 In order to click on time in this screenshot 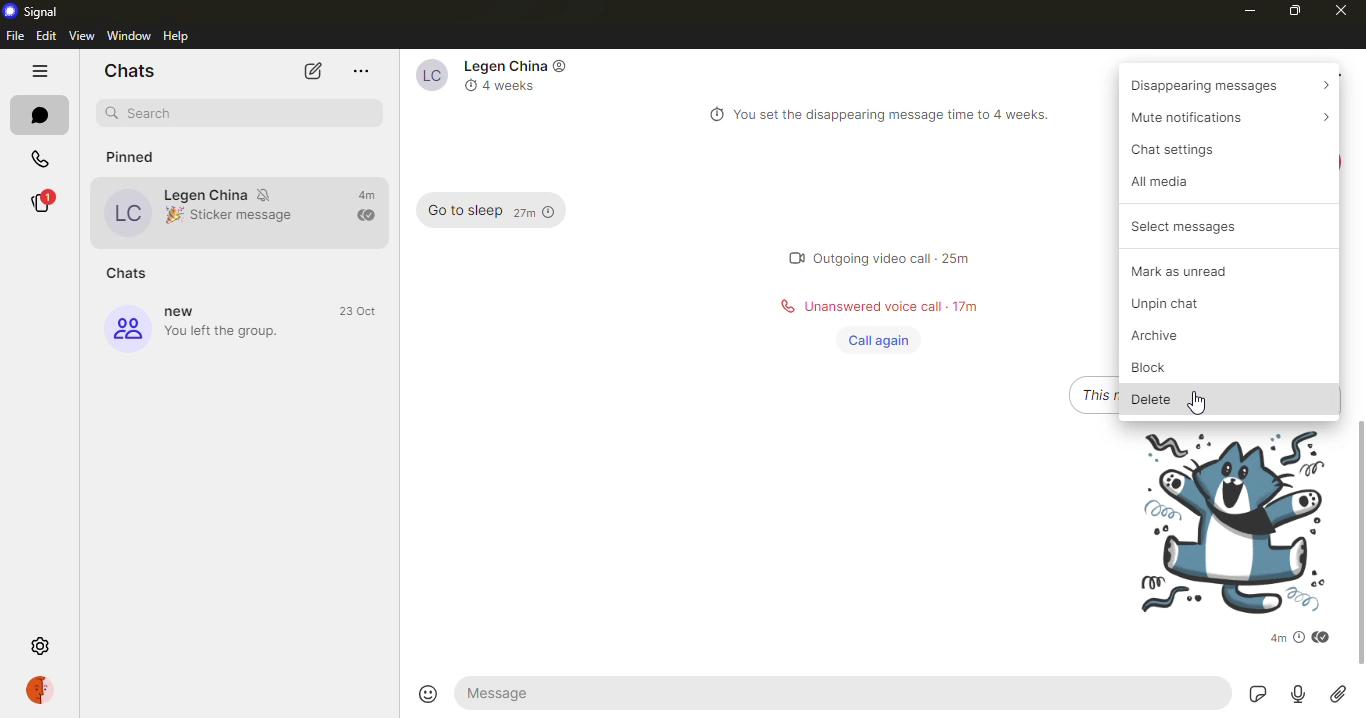, I will do `click(360, 311)`.